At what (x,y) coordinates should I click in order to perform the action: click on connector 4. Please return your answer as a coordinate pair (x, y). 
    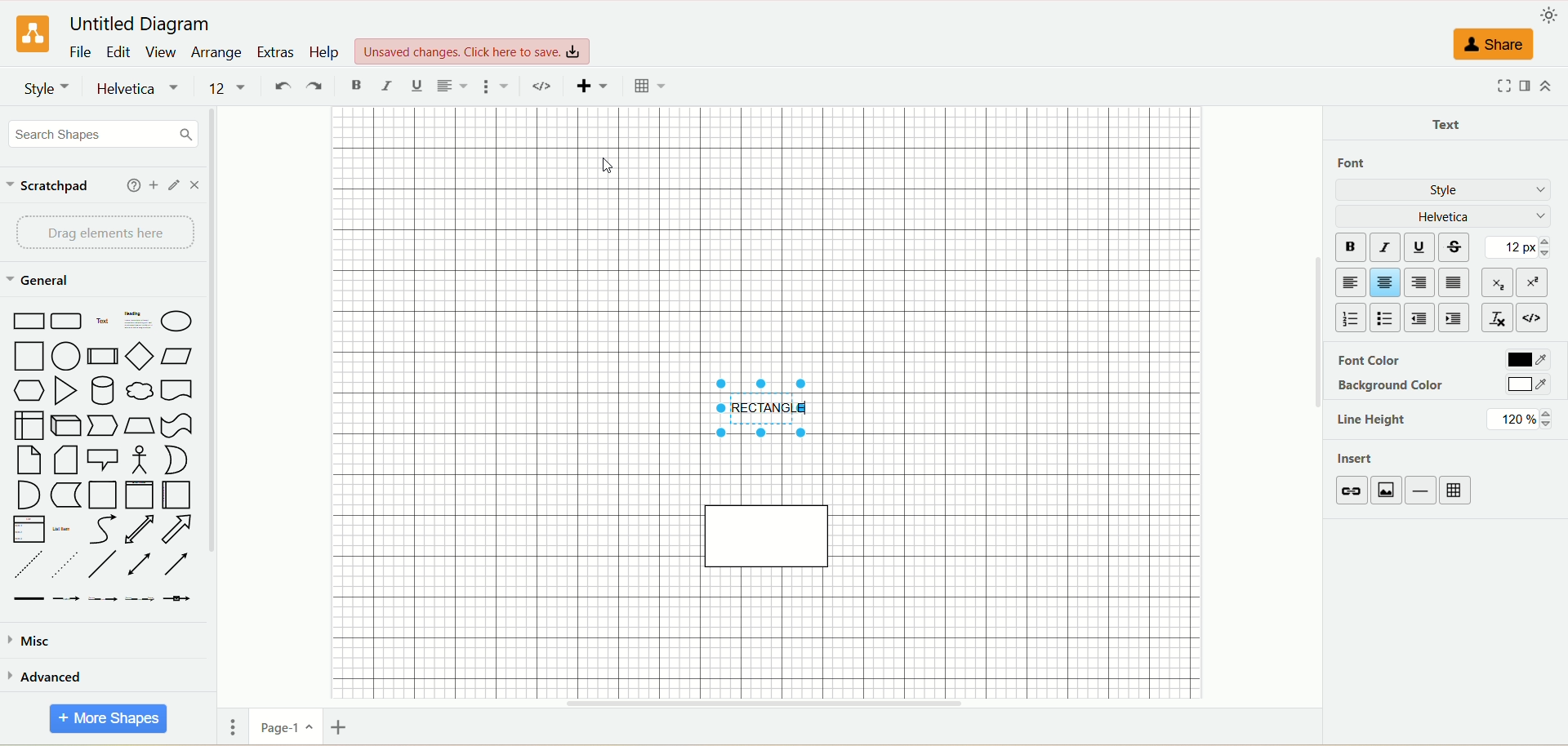
    Looking at the image, I should click on (140, 598).